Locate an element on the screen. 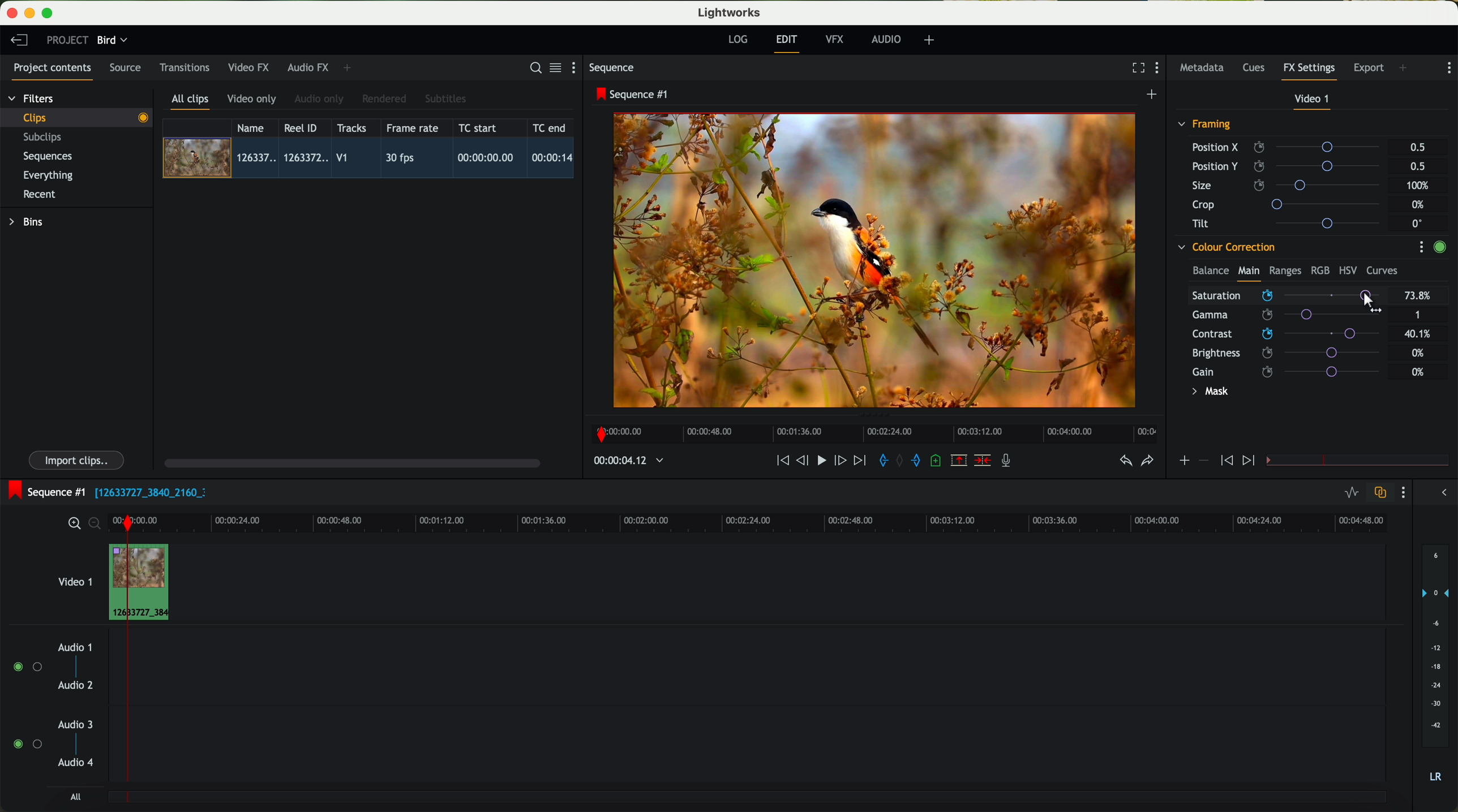  icon is located at coordinates (1225, 461).